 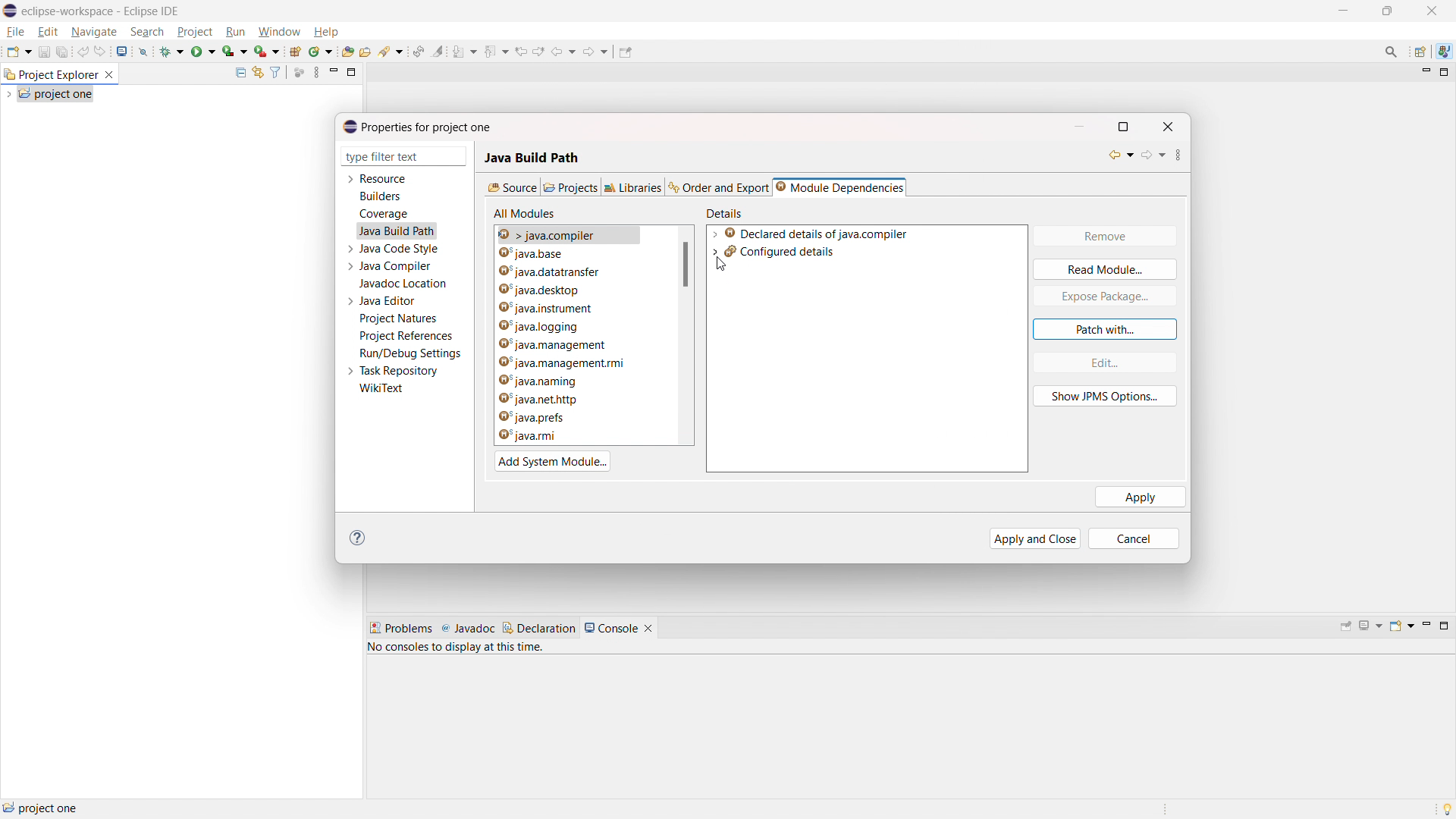 What do you see at coordinates (686, 265) in the screenshot?
I see `scrollbar` at bounding box center [686, 265].